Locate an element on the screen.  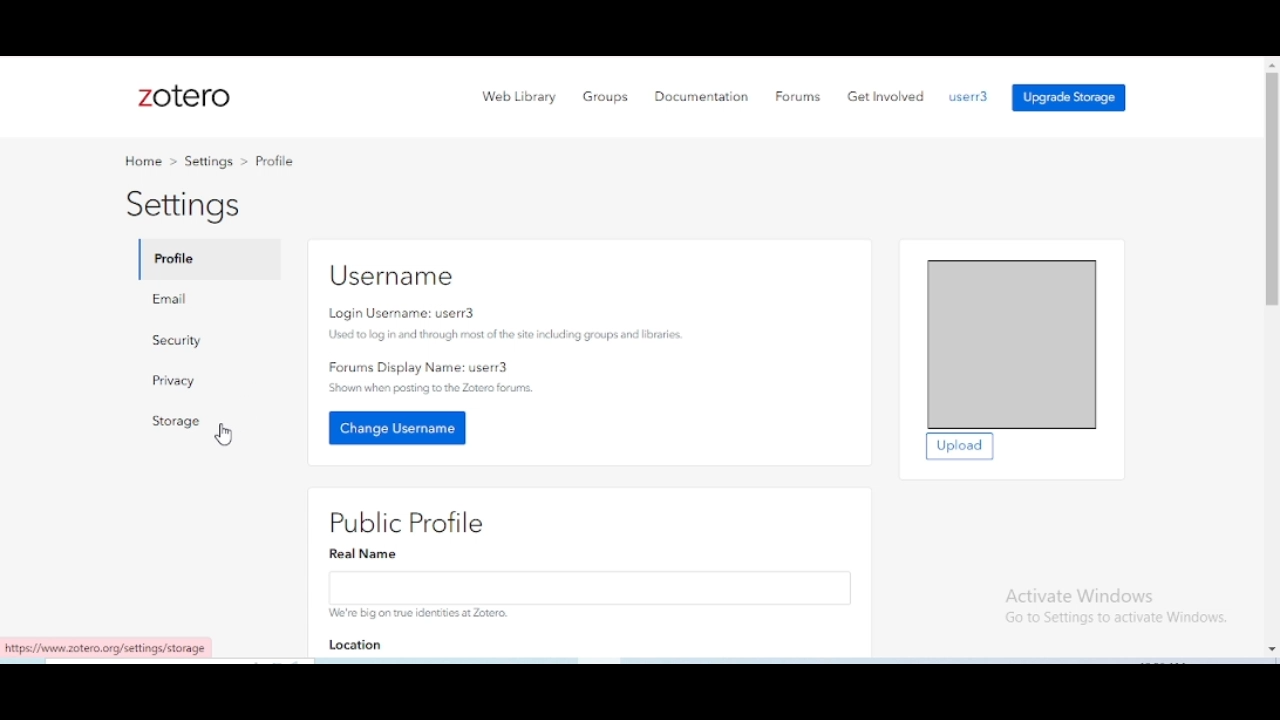
settings is located at coordinates (185, 207).